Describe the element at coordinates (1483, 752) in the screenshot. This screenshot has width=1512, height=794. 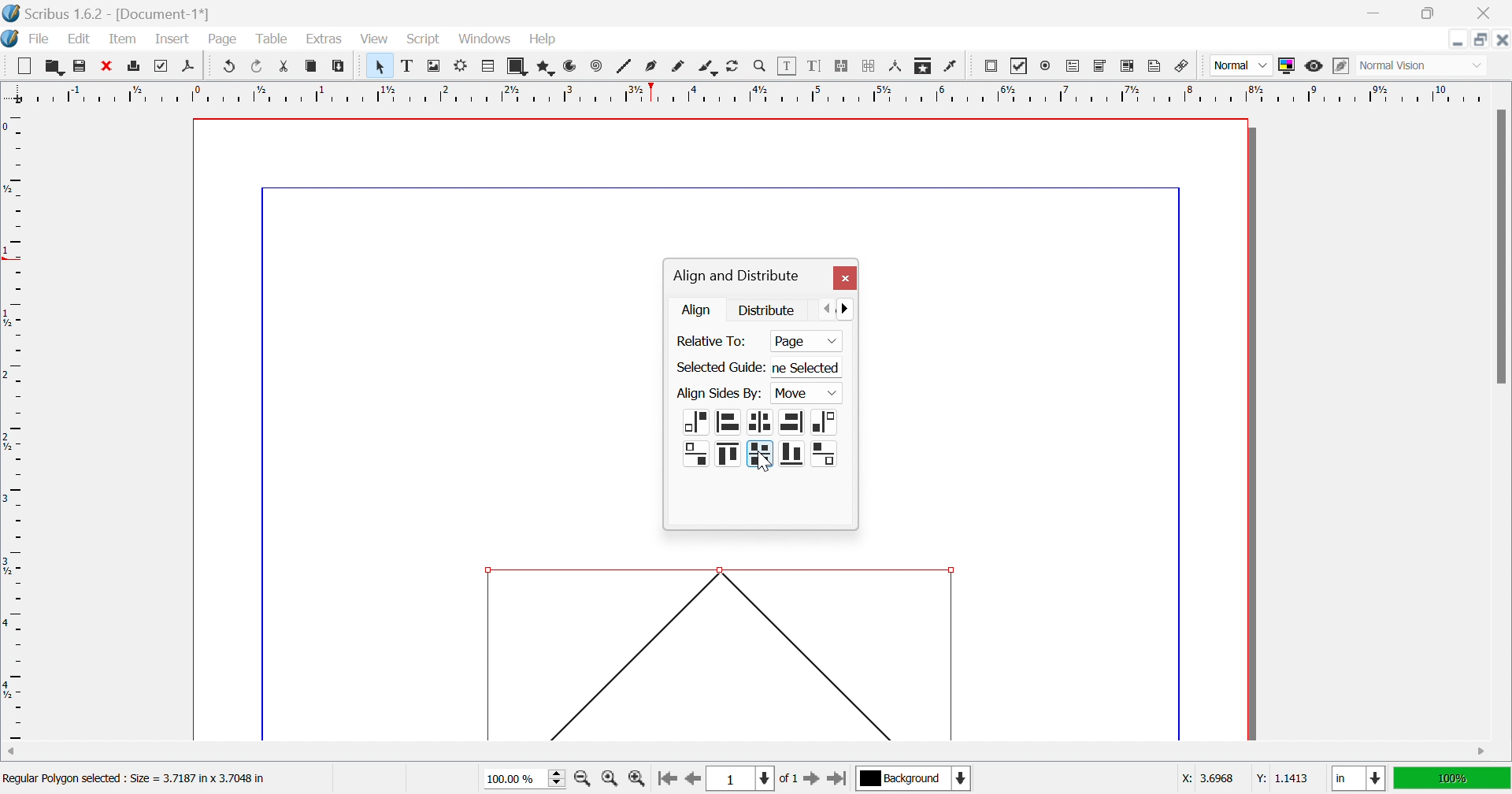
I see `Scroll right` at that location.